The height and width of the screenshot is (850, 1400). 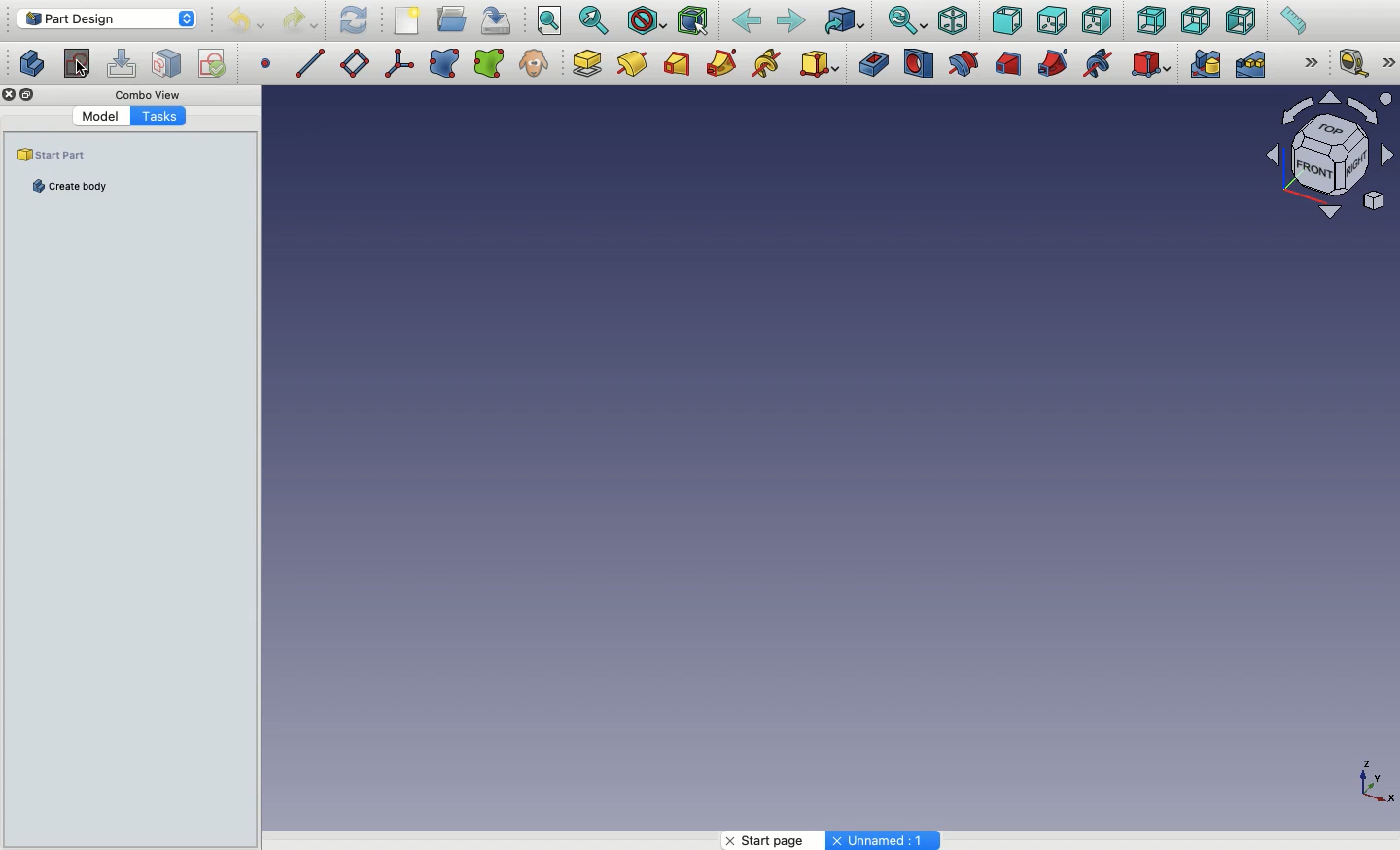 What do you see at coordinates (773, 840) in the screenshot?
I see `Start page` at bounding box center [773, 840].